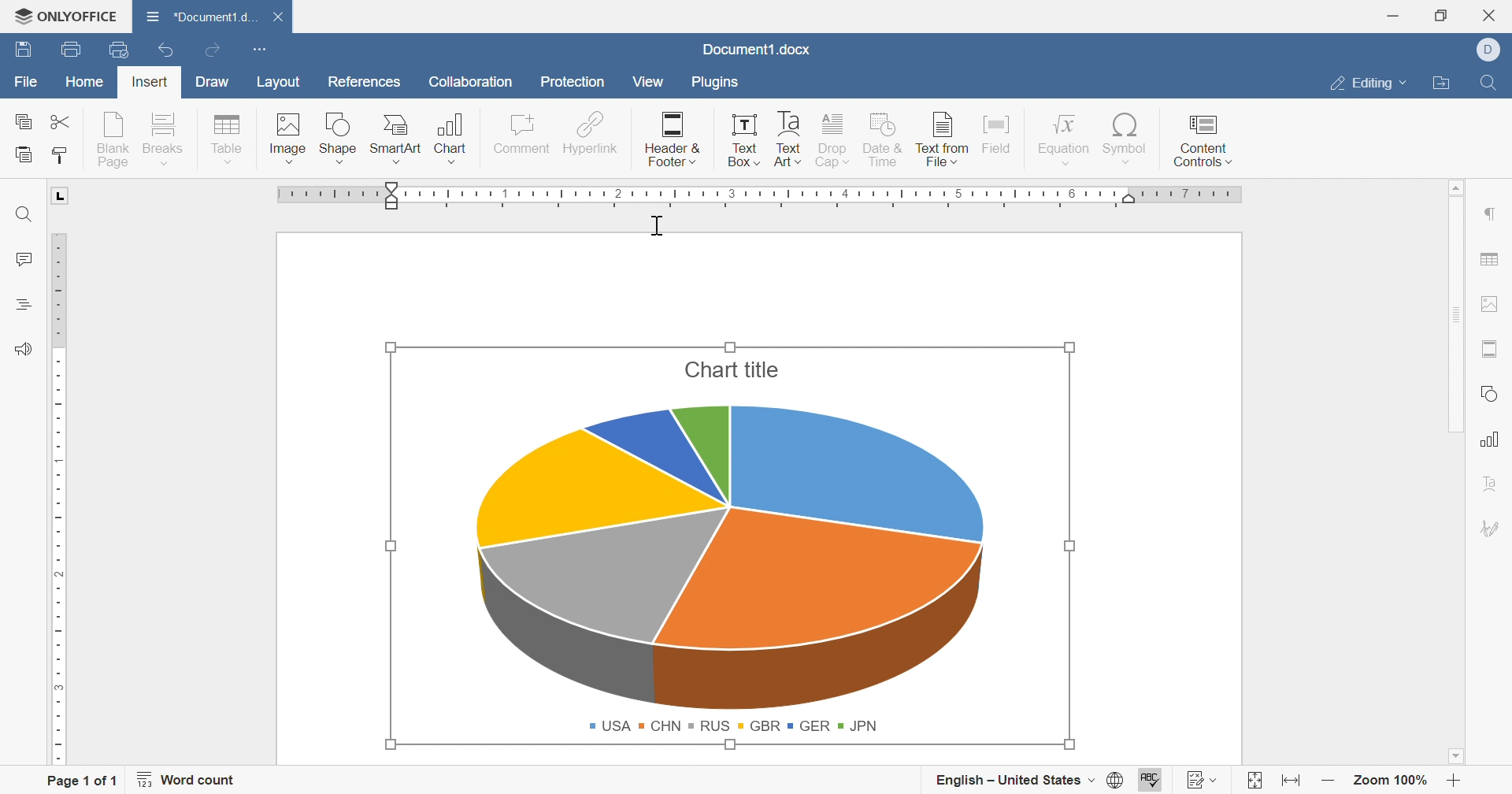  Describe the element at coordinates (397, 137) in the screenshot. I see `SmartArt` at that location.